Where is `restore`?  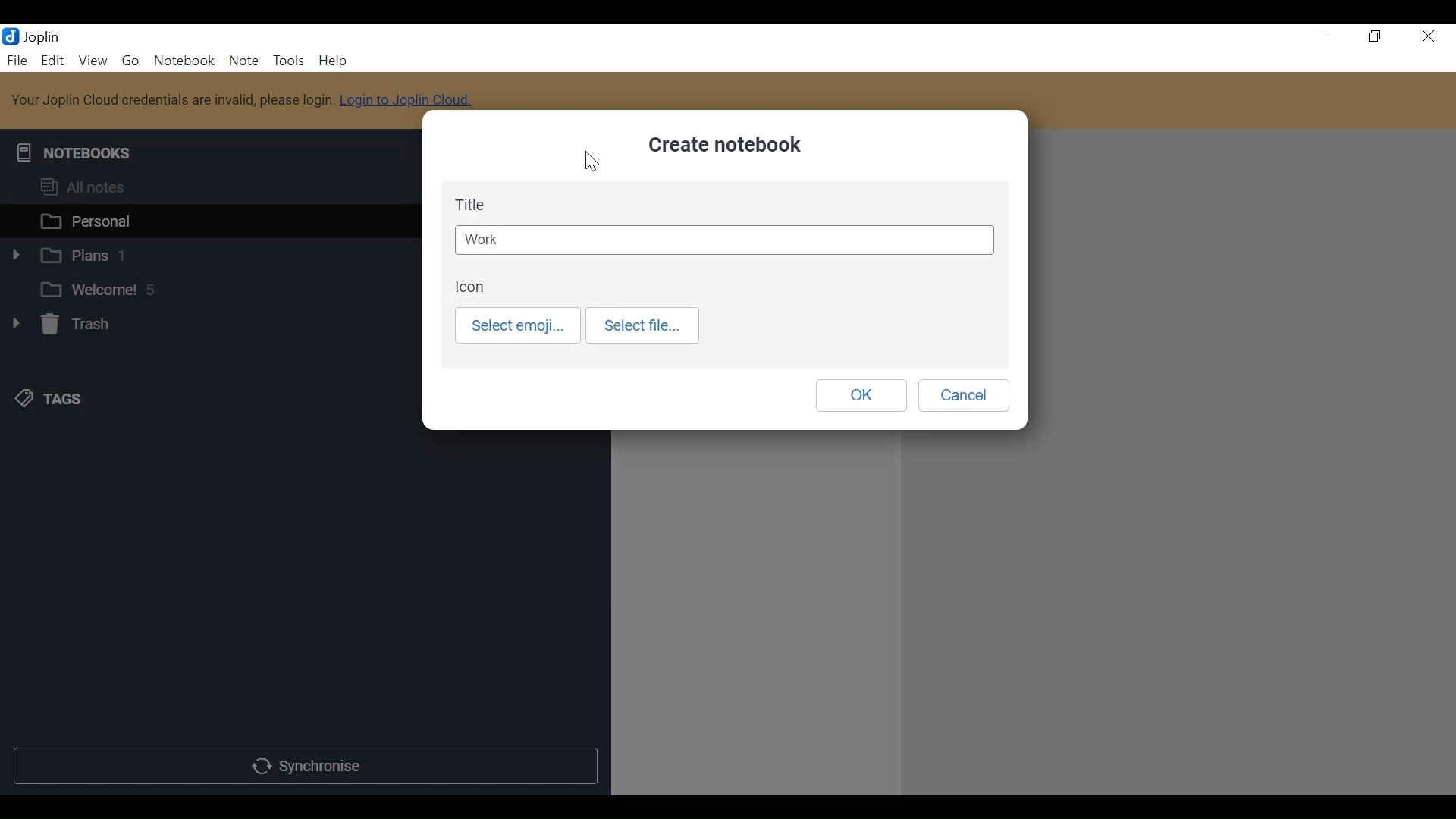 restore is located at coordinates (1375, 37).